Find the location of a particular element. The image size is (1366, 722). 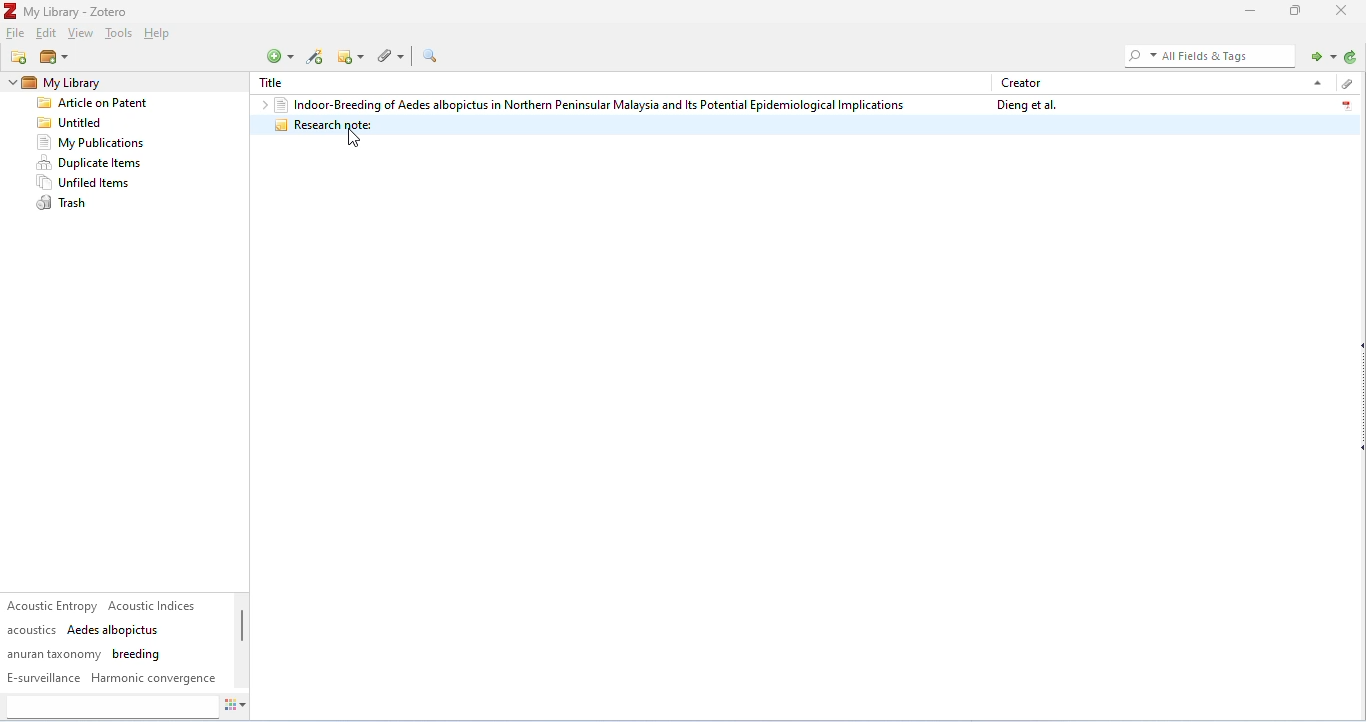

research note is located at coordinates (804, 125).